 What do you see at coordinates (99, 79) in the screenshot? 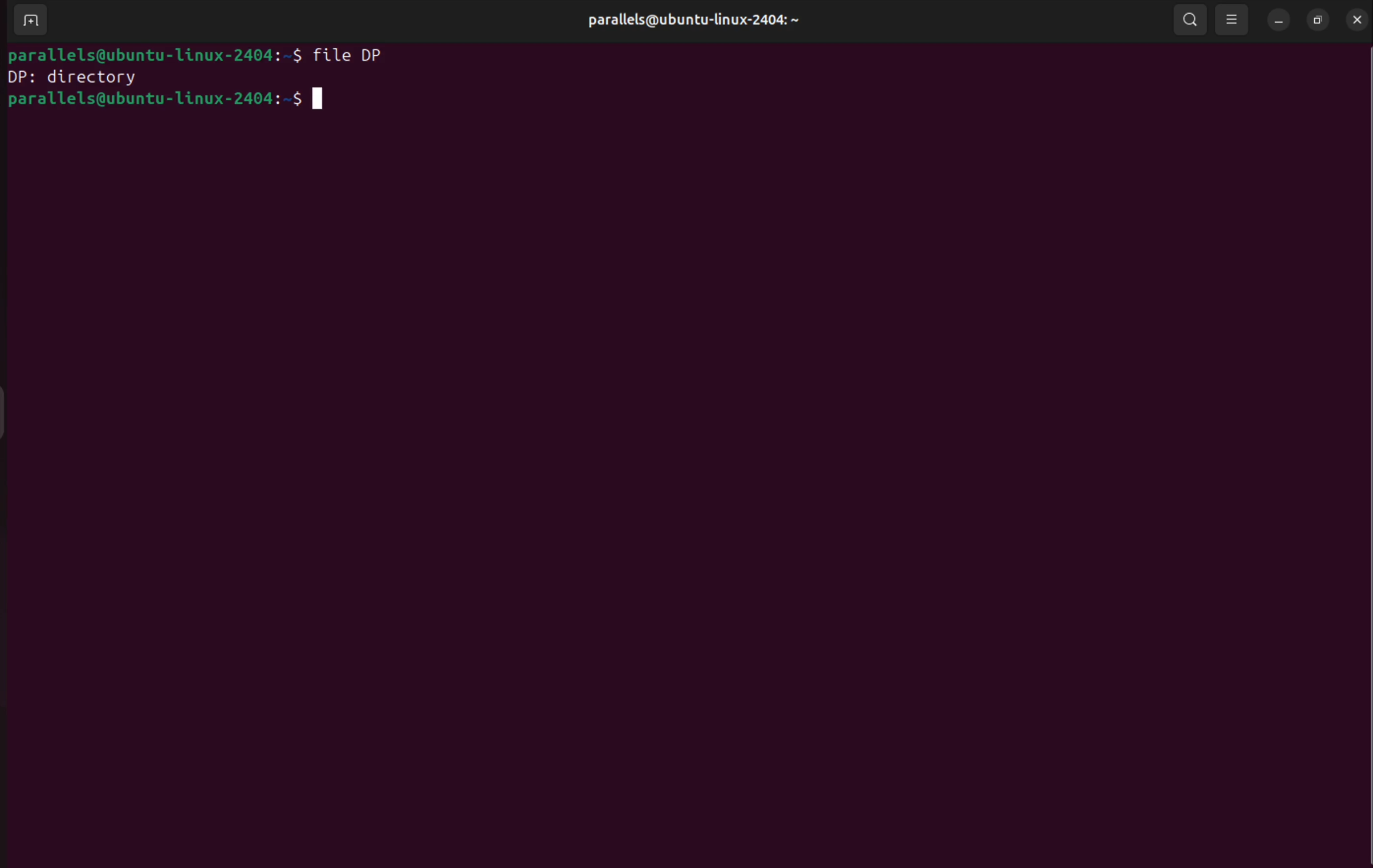
I see `filetype` at bounding box center [99, 79].